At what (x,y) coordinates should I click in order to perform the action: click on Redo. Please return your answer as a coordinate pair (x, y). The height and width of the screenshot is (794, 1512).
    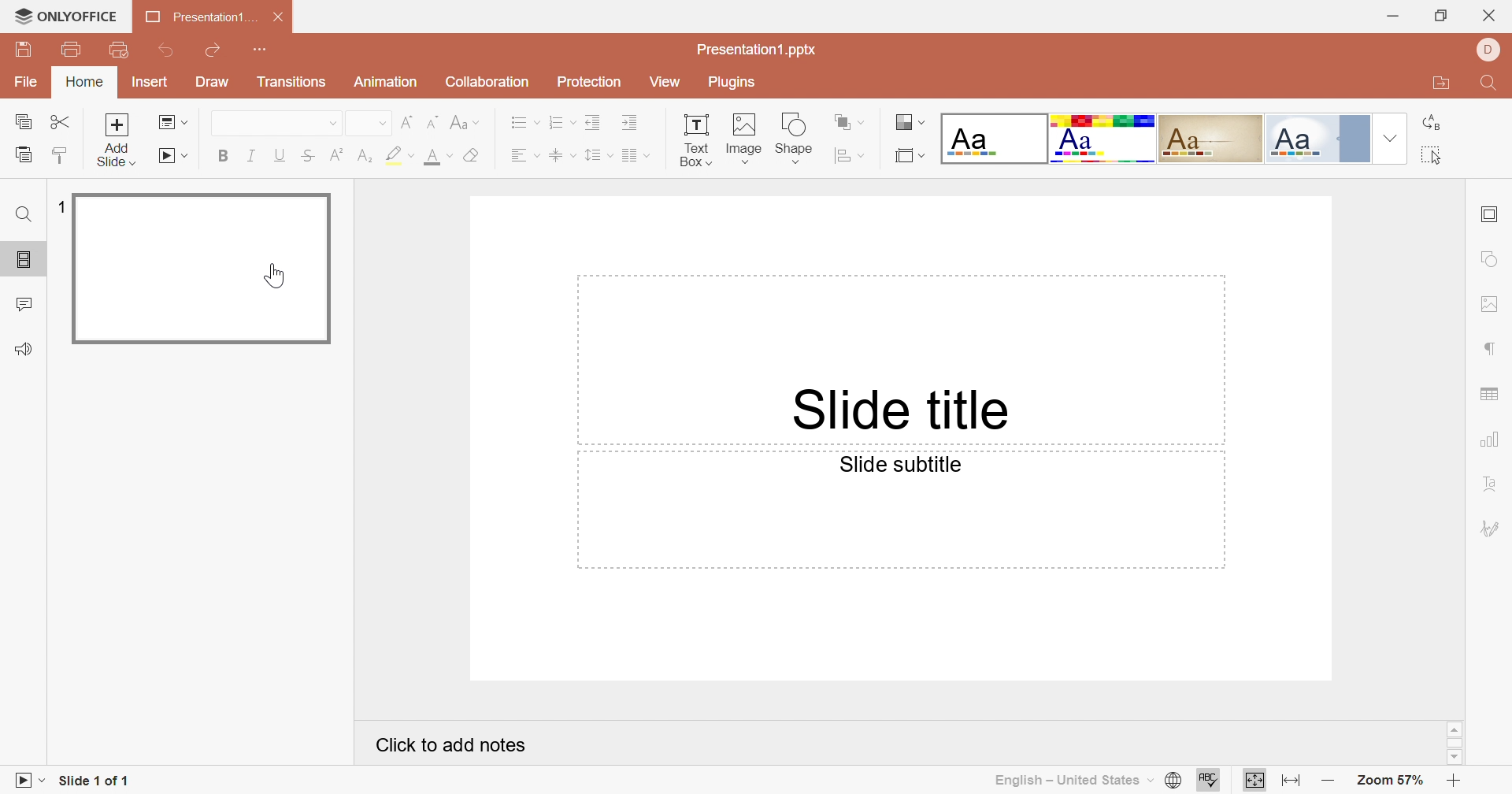
    Looking at the image, I should click on (213, 50).